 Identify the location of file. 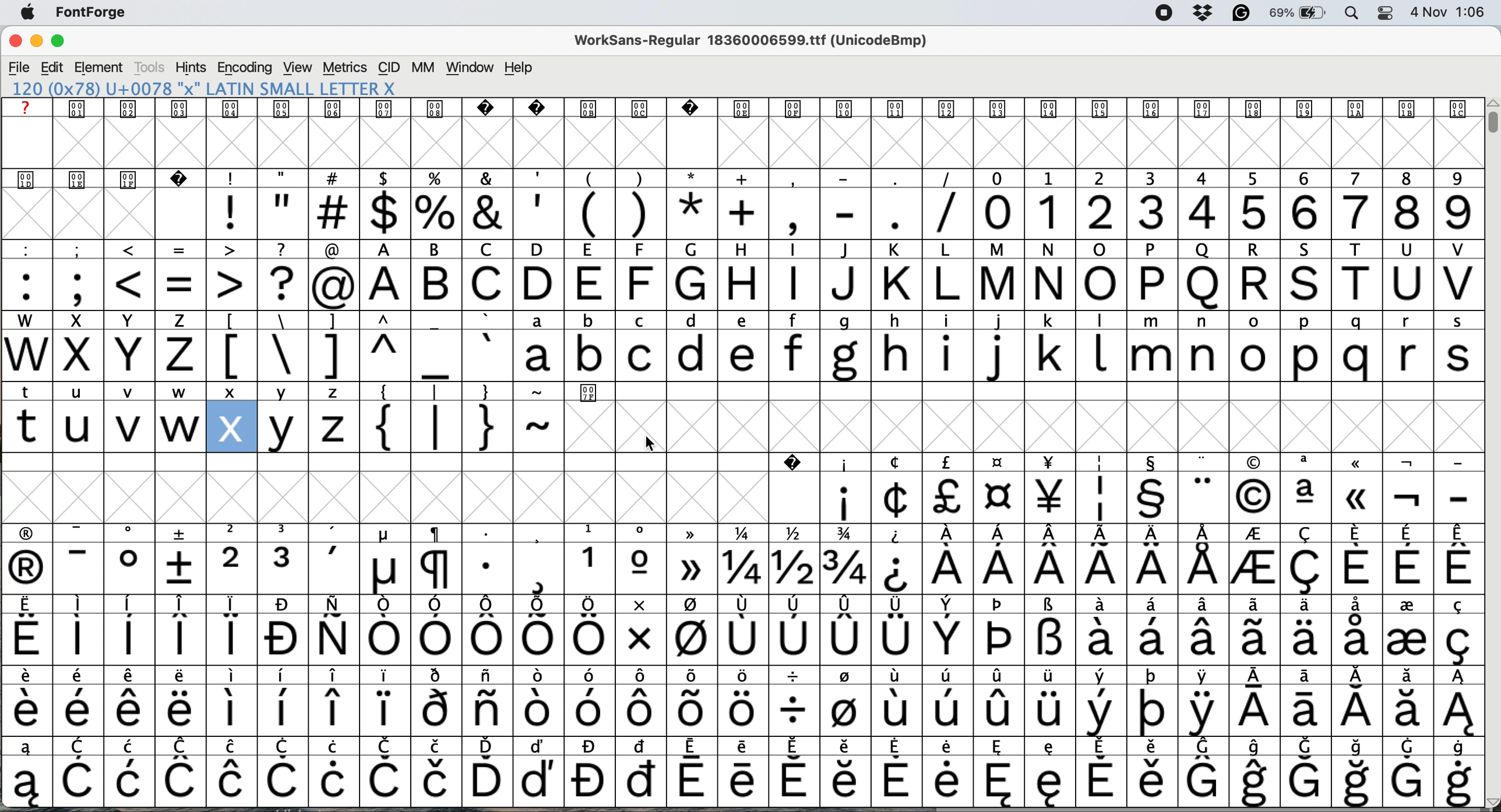
(19, 66).